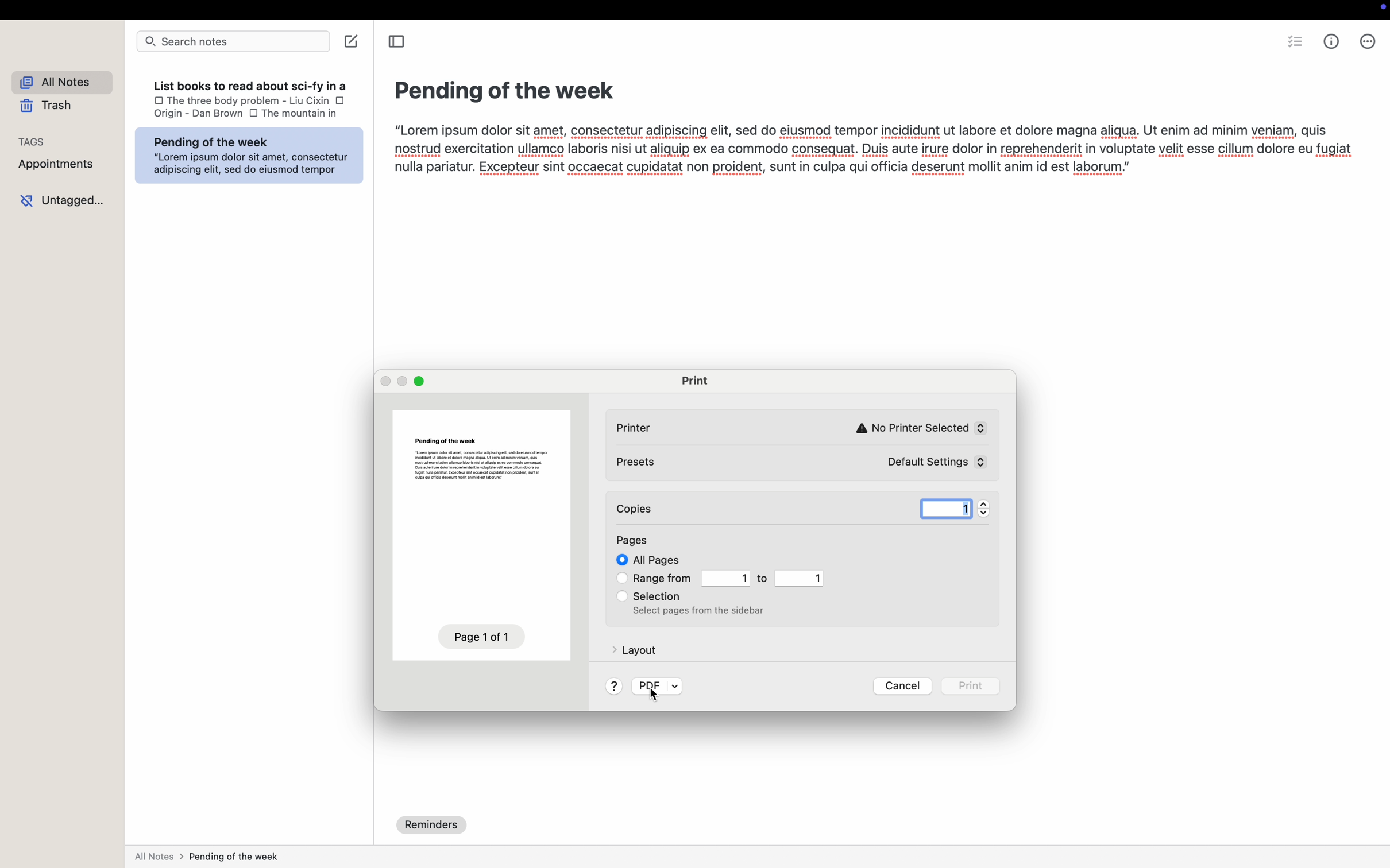 The image size is (1390, 868). I want to click on 1, so click(800, 579).